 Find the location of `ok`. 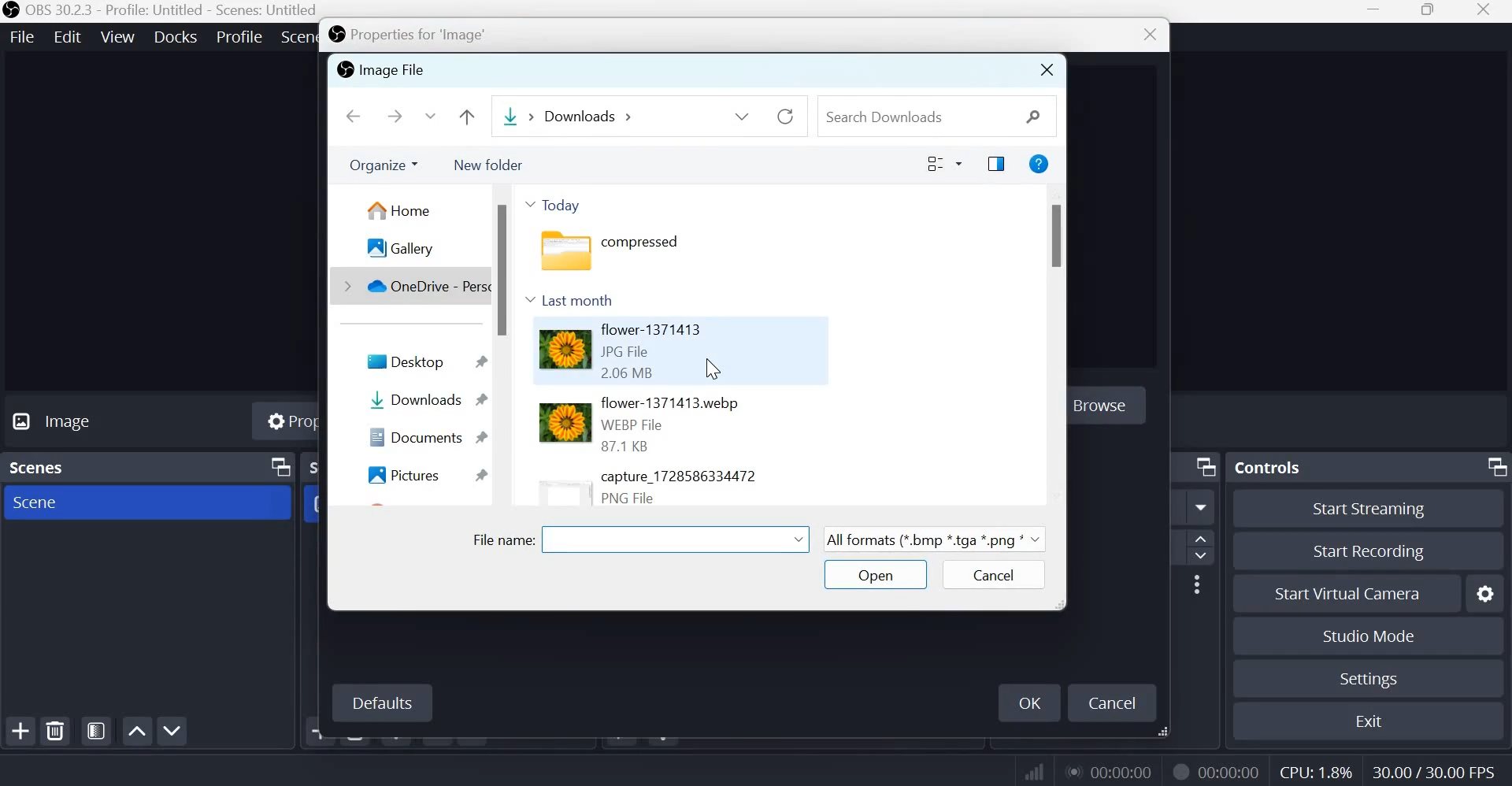

ok is located at coordinates (1028, 701).